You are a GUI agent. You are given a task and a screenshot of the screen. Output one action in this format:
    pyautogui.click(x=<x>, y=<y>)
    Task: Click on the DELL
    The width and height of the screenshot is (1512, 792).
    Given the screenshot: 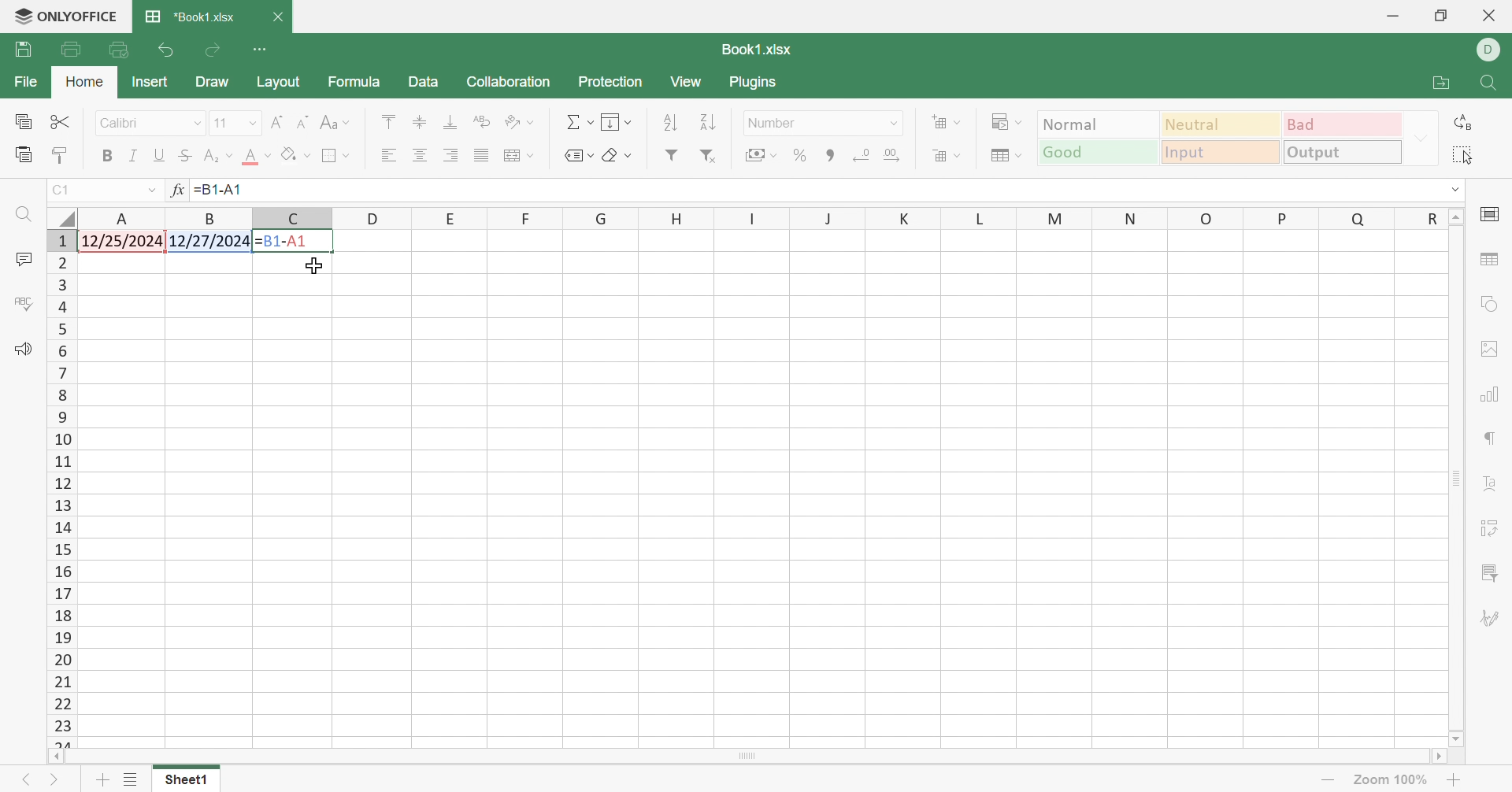 What is the action you would take?
    pyautogui.click(x=1492, y=50)
    